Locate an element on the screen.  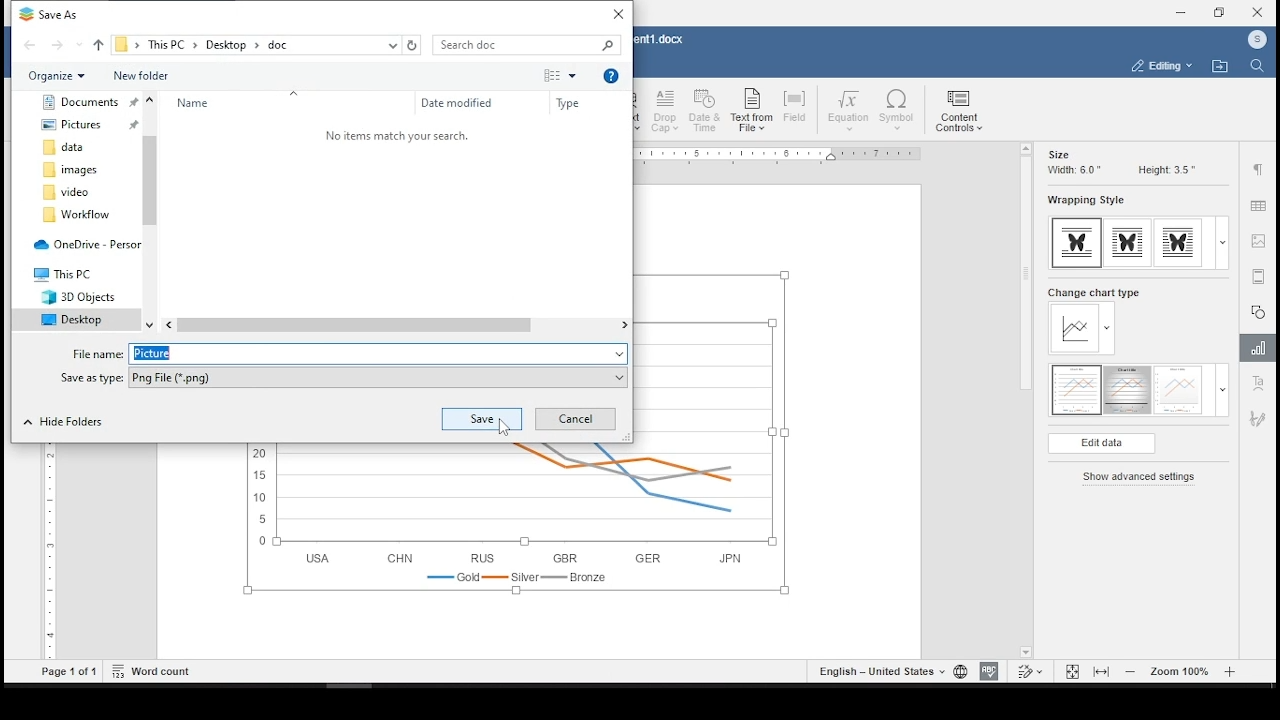
symbol is located at coordinates (899, 111).